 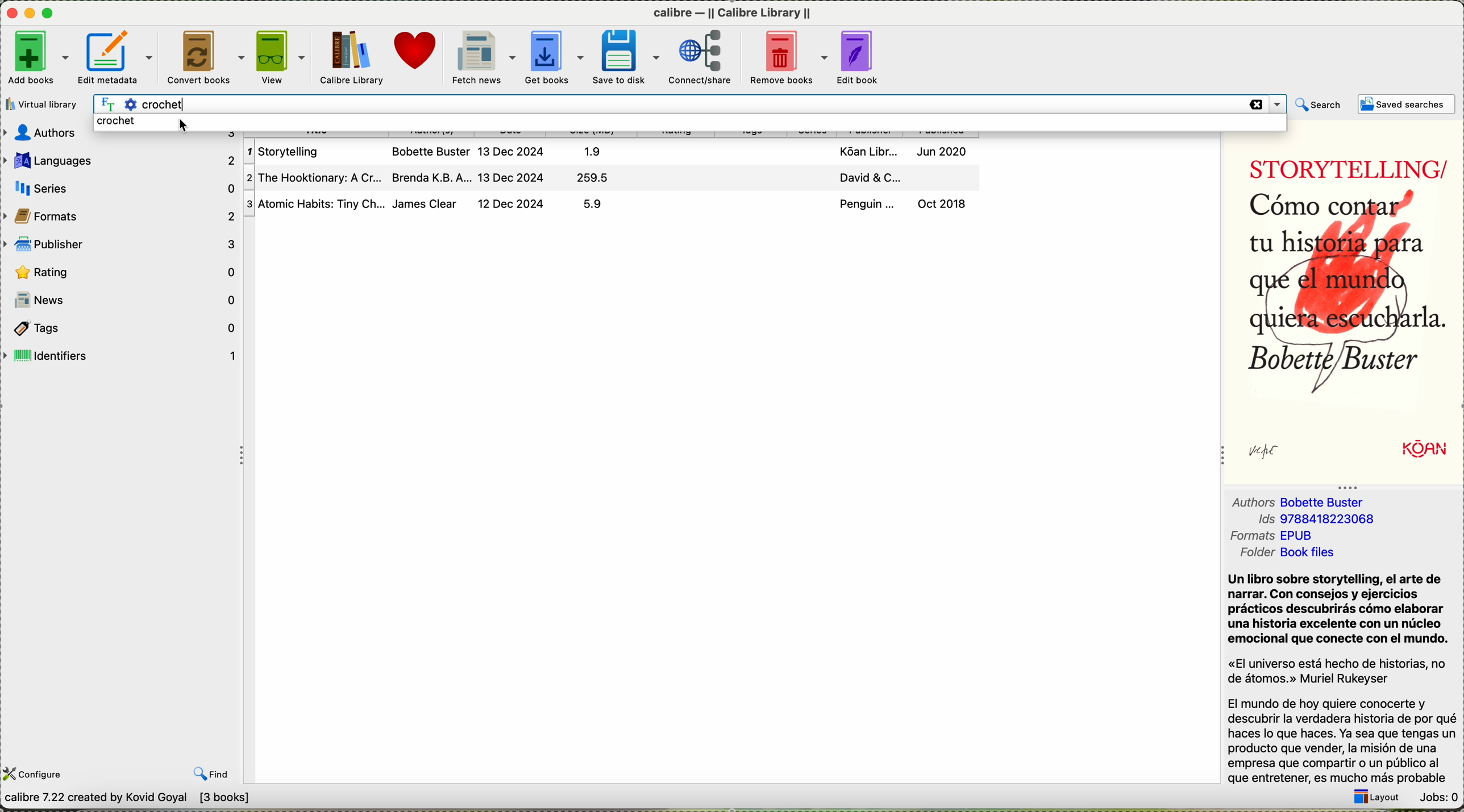 I want to click on minimize Calibre, so click(x=32, y=14).